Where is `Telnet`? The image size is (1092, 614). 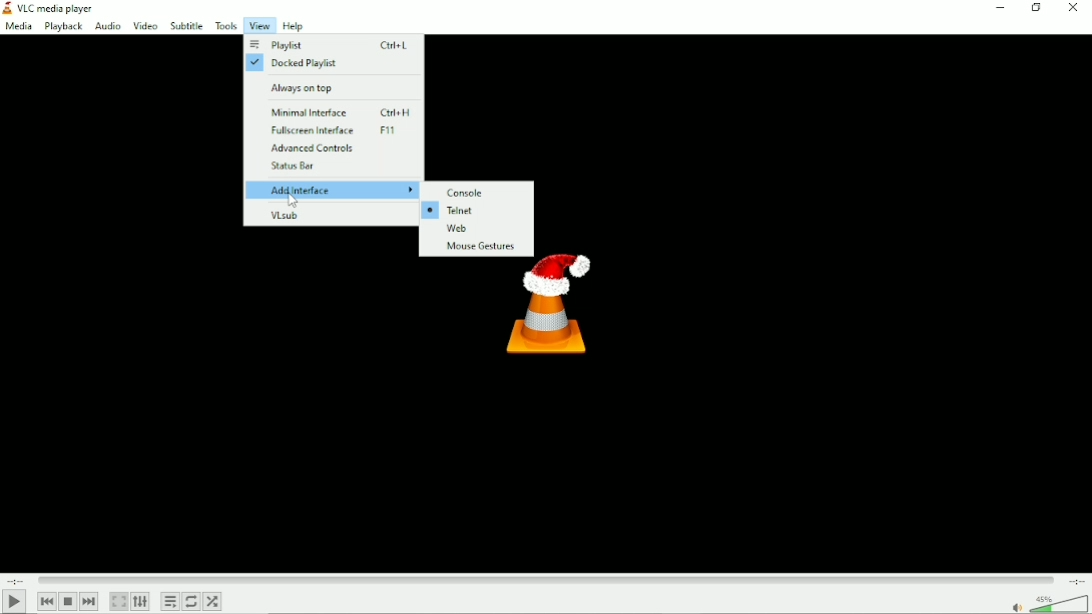
Telnet is located at coordinates (454, 210).